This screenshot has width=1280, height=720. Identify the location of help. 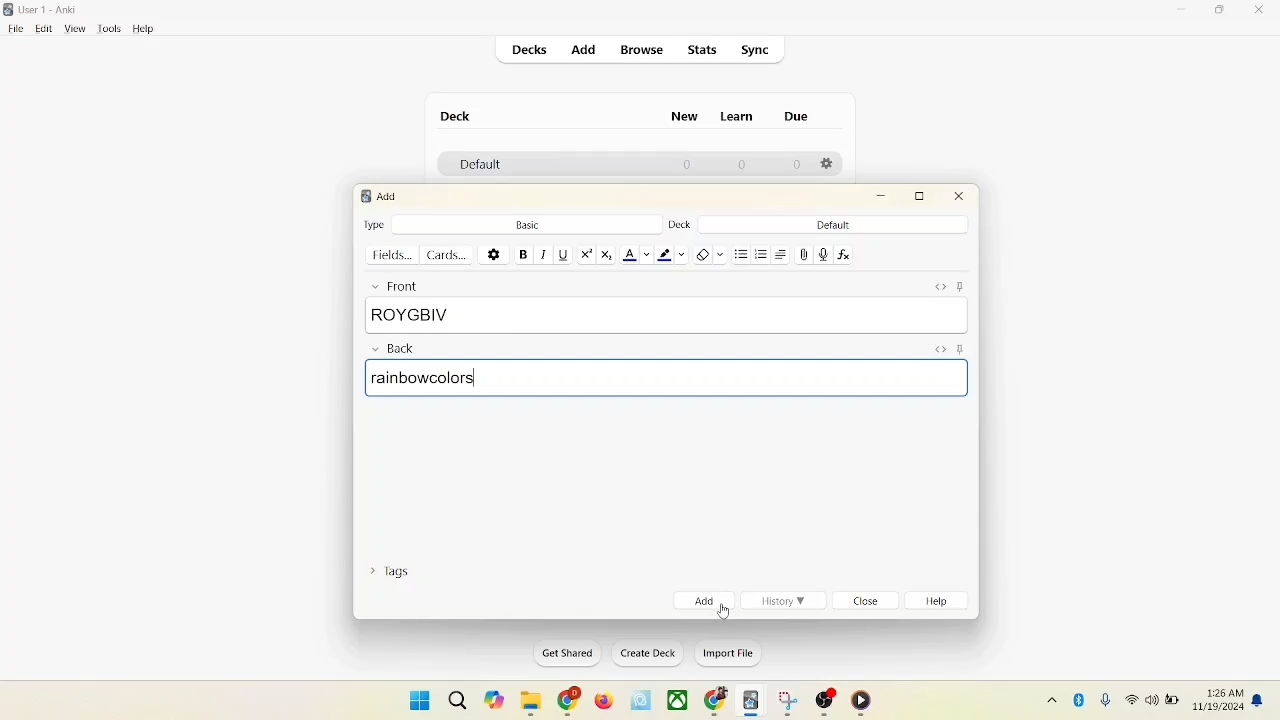
(144, 29).